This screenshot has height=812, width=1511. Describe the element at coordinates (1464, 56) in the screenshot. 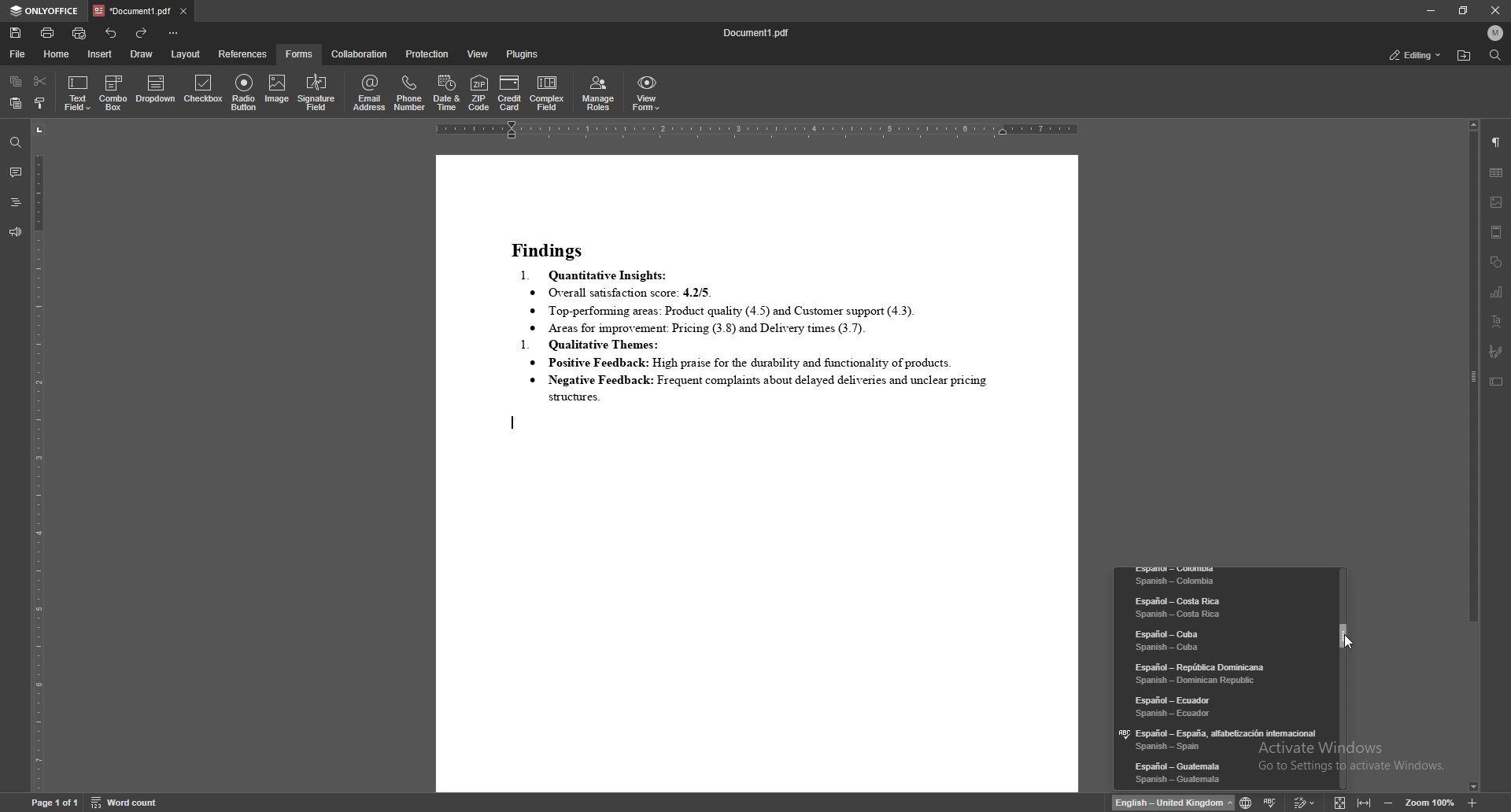

I see `locate file` at that location.